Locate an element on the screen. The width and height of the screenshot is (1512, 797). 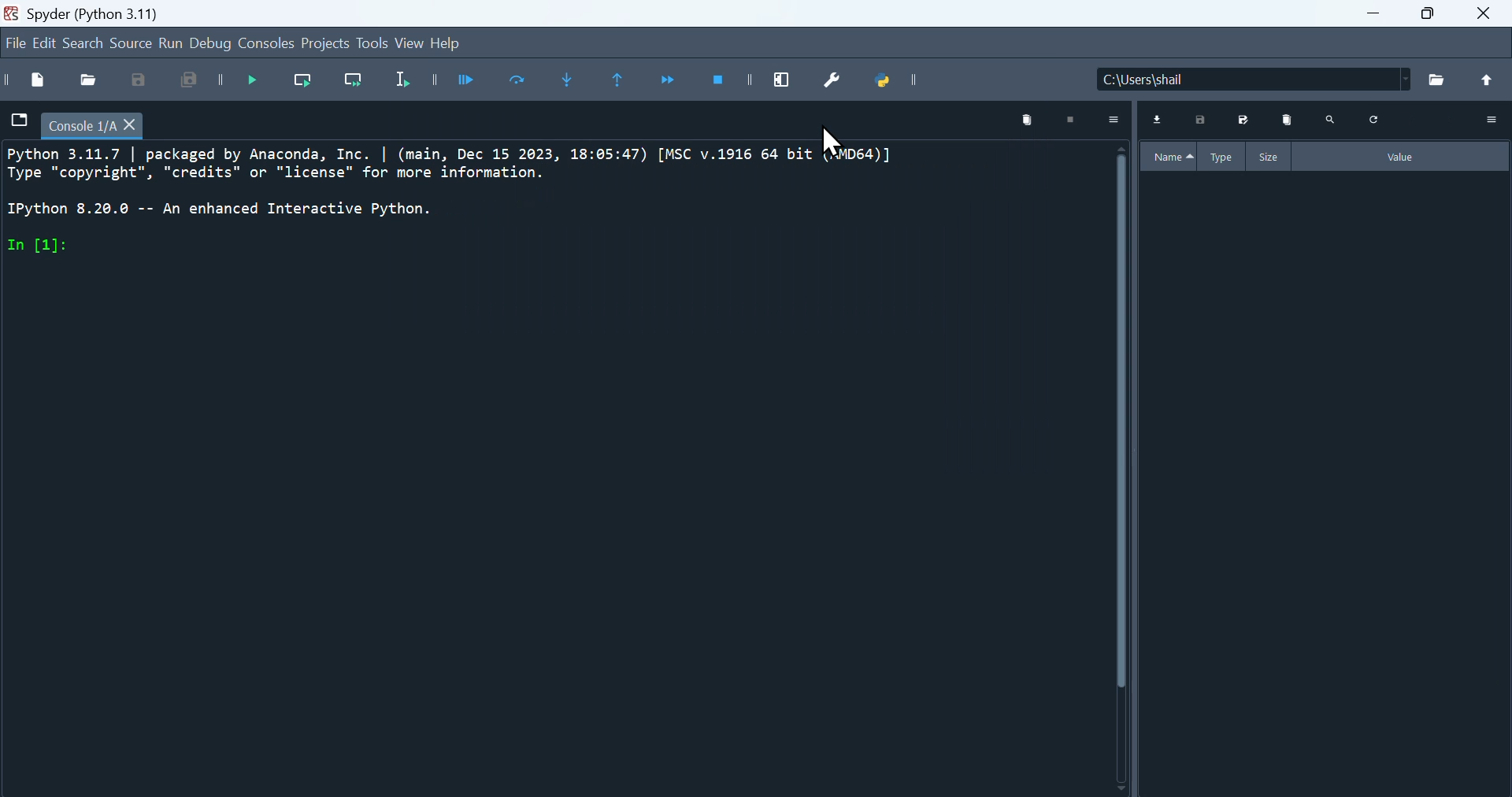
Value is located at coordinates (1405, 157).